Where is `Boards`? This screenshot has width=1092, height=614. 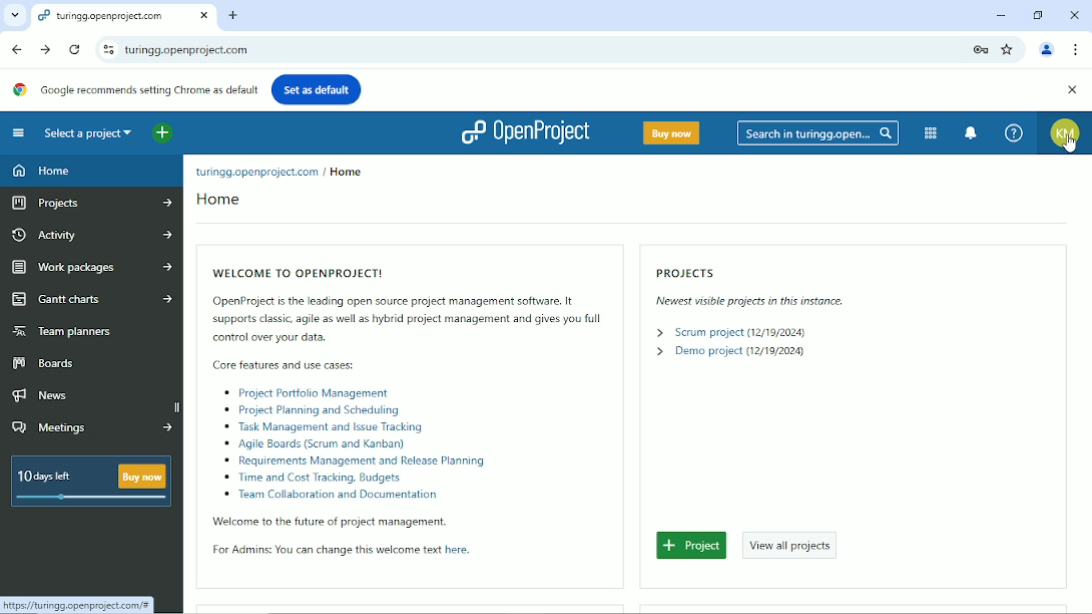
Boards is located at coordinates (45, 363).